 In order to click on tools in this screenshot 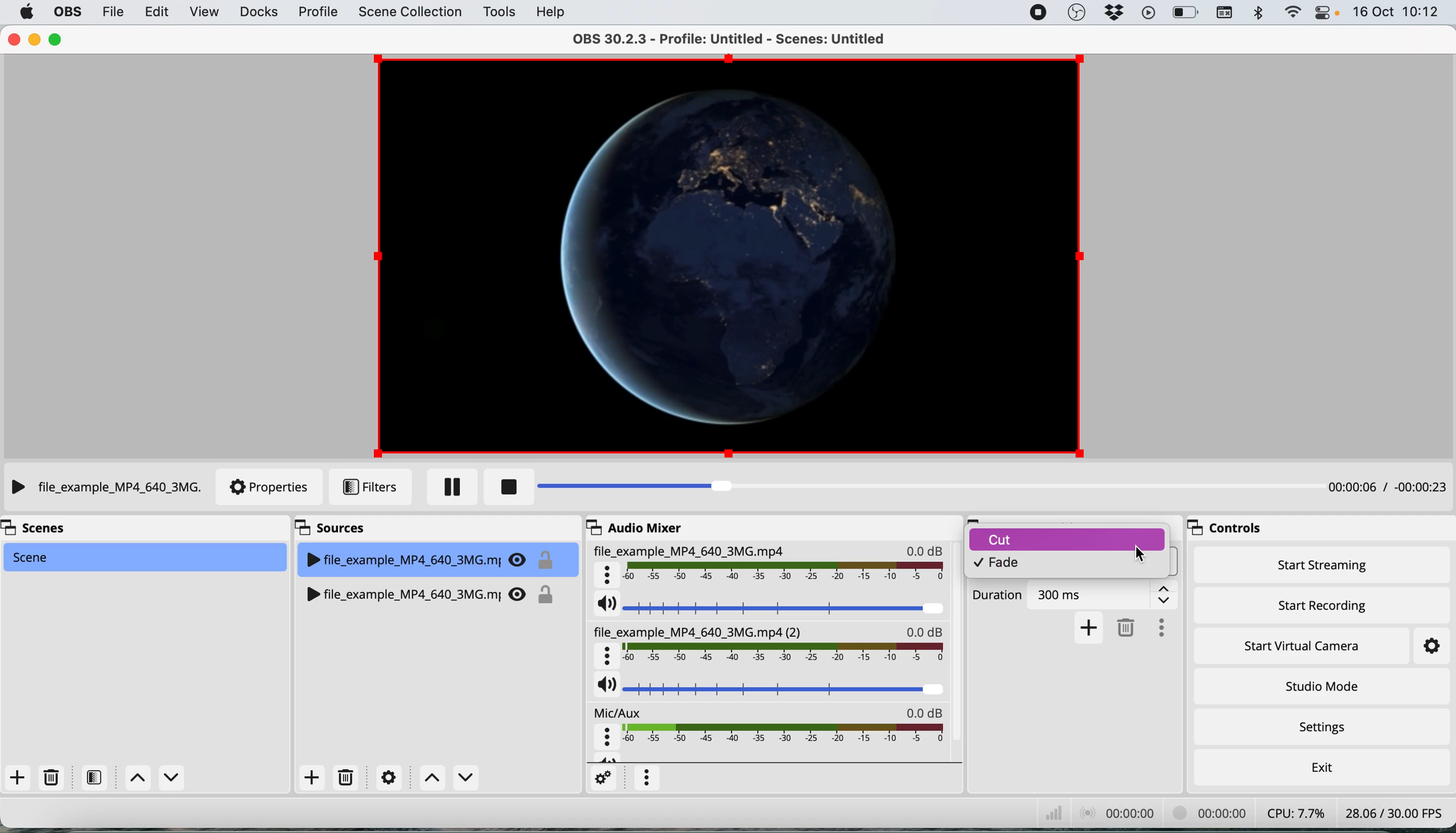, I will do `click(502, 11)`.